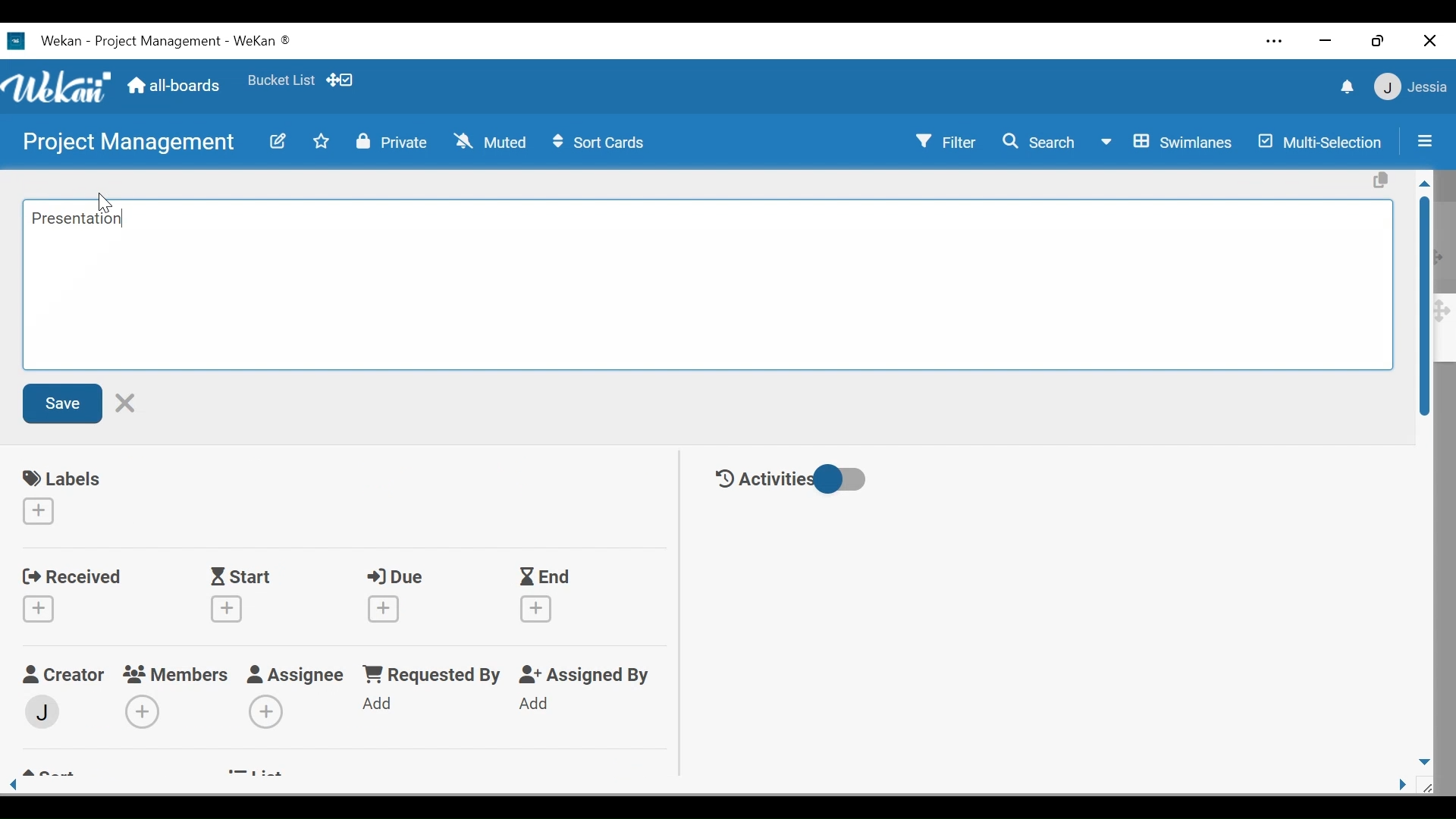 This screenshot has height=819, width=1456. What do you see at coordinates (63, 403) in the screenshot?
I see `Save` at bounding box center [63, 403].